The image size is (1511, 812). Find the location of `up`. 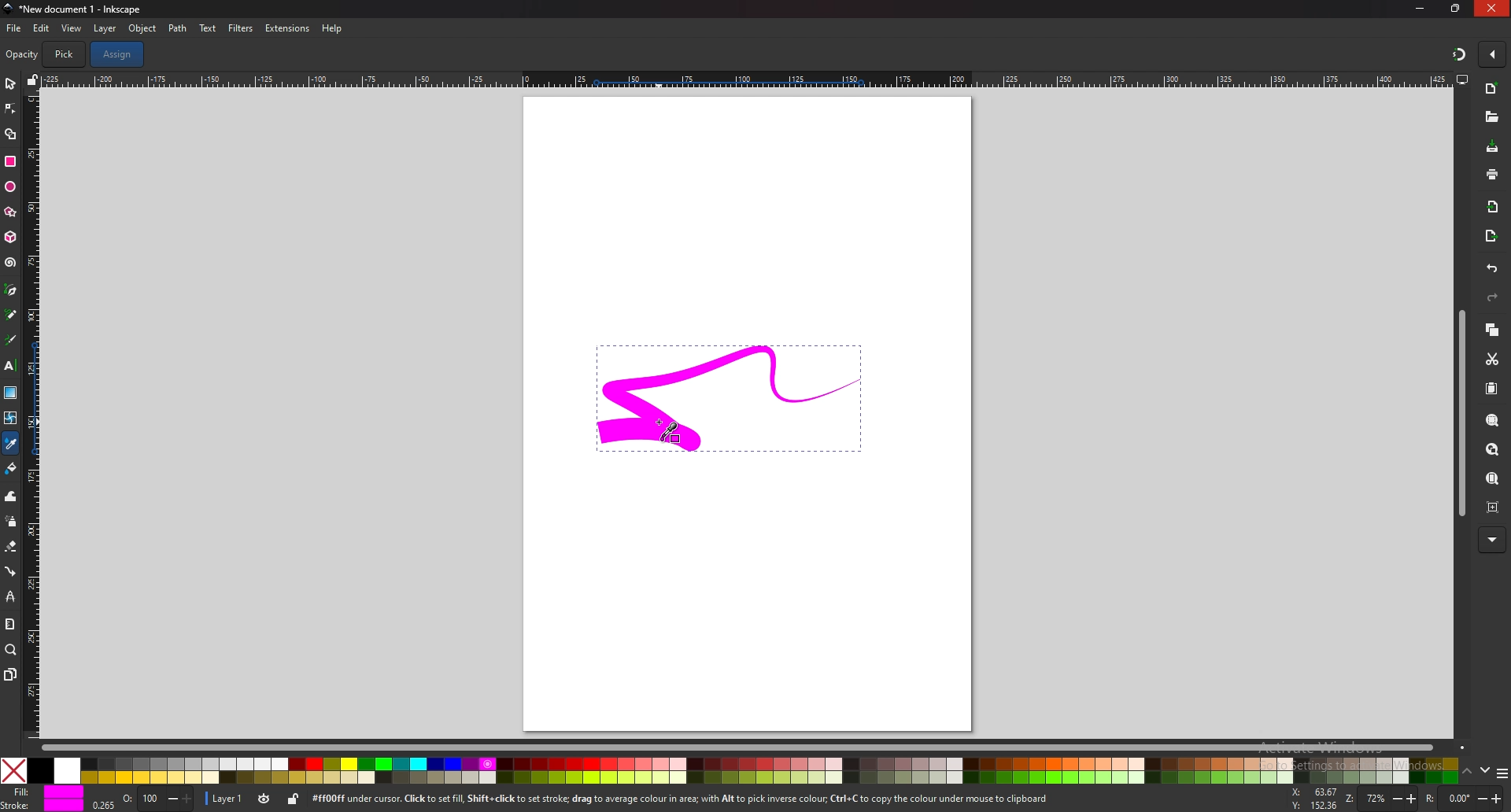

up is located at coordinates (1468, 771).